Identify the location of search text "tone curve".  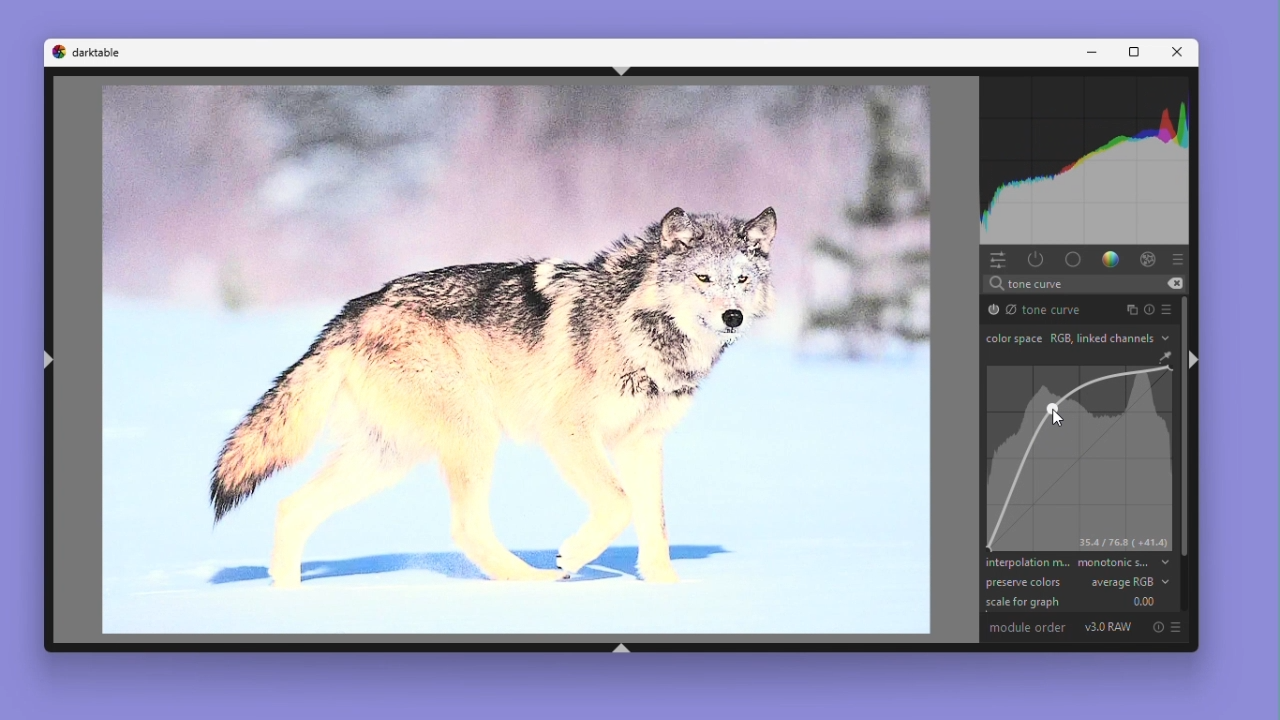
(1082, 284).